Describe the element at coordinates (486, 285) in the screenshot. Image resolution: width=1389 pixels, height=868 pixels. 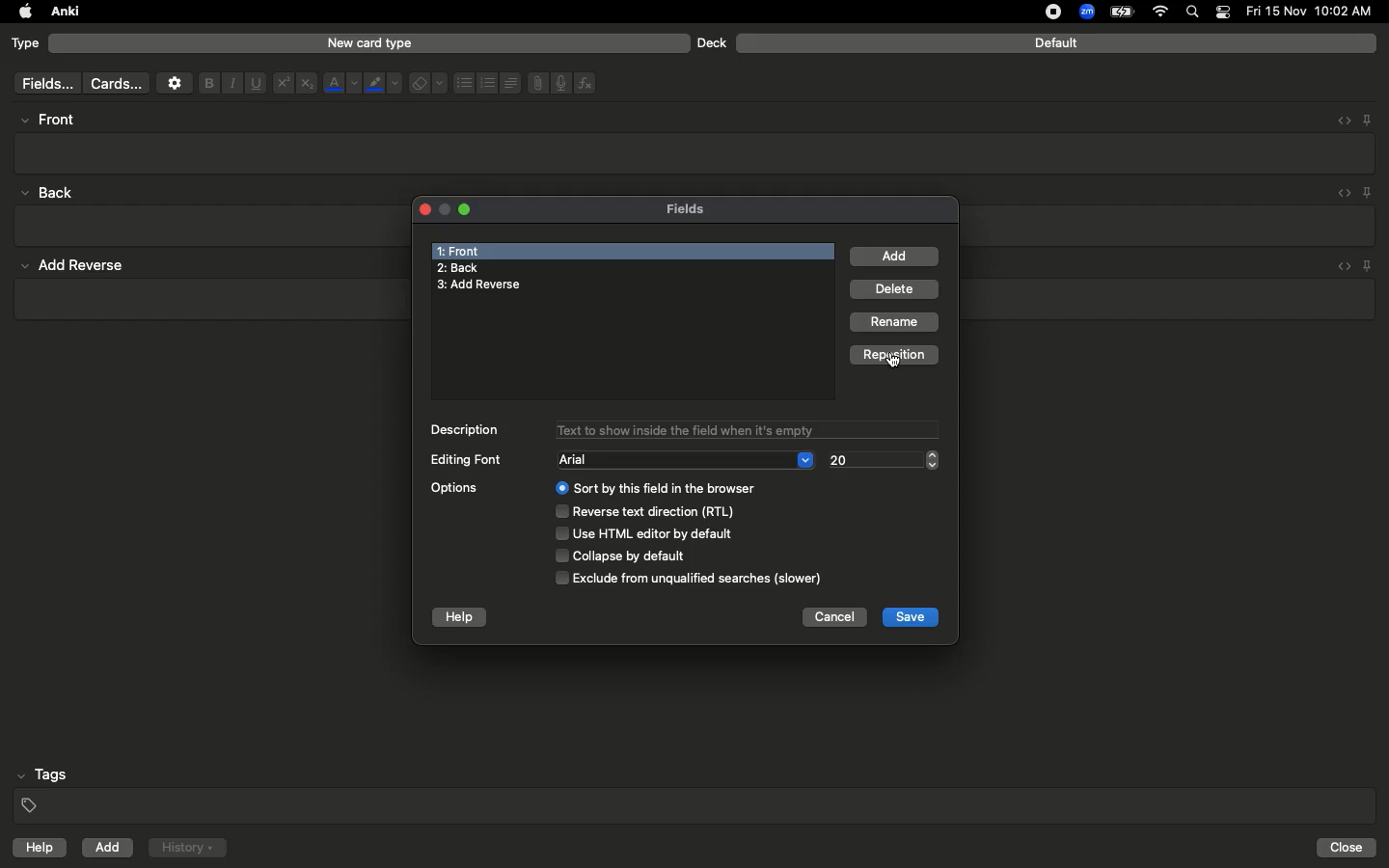
I see `Add reverse` at that location.